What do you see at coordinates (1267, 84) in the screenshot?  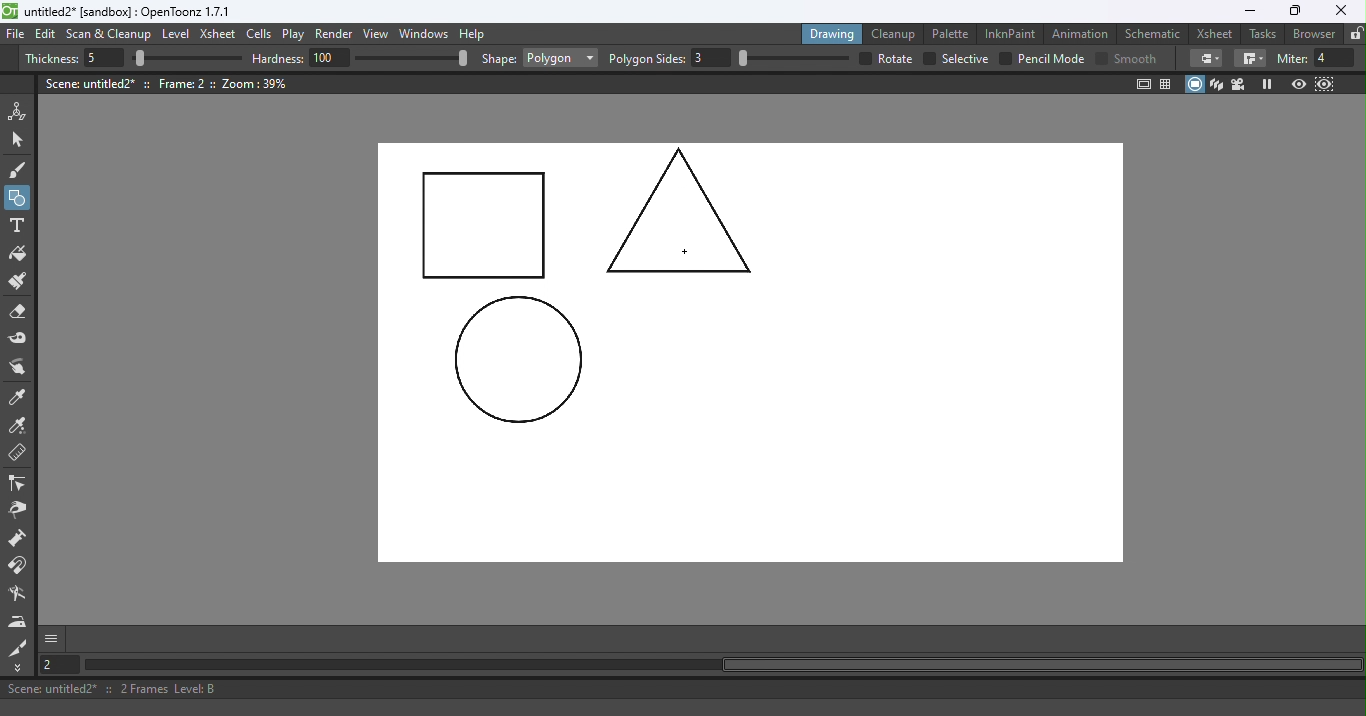 I see `Freeze` at bounding box center [1267, 84].